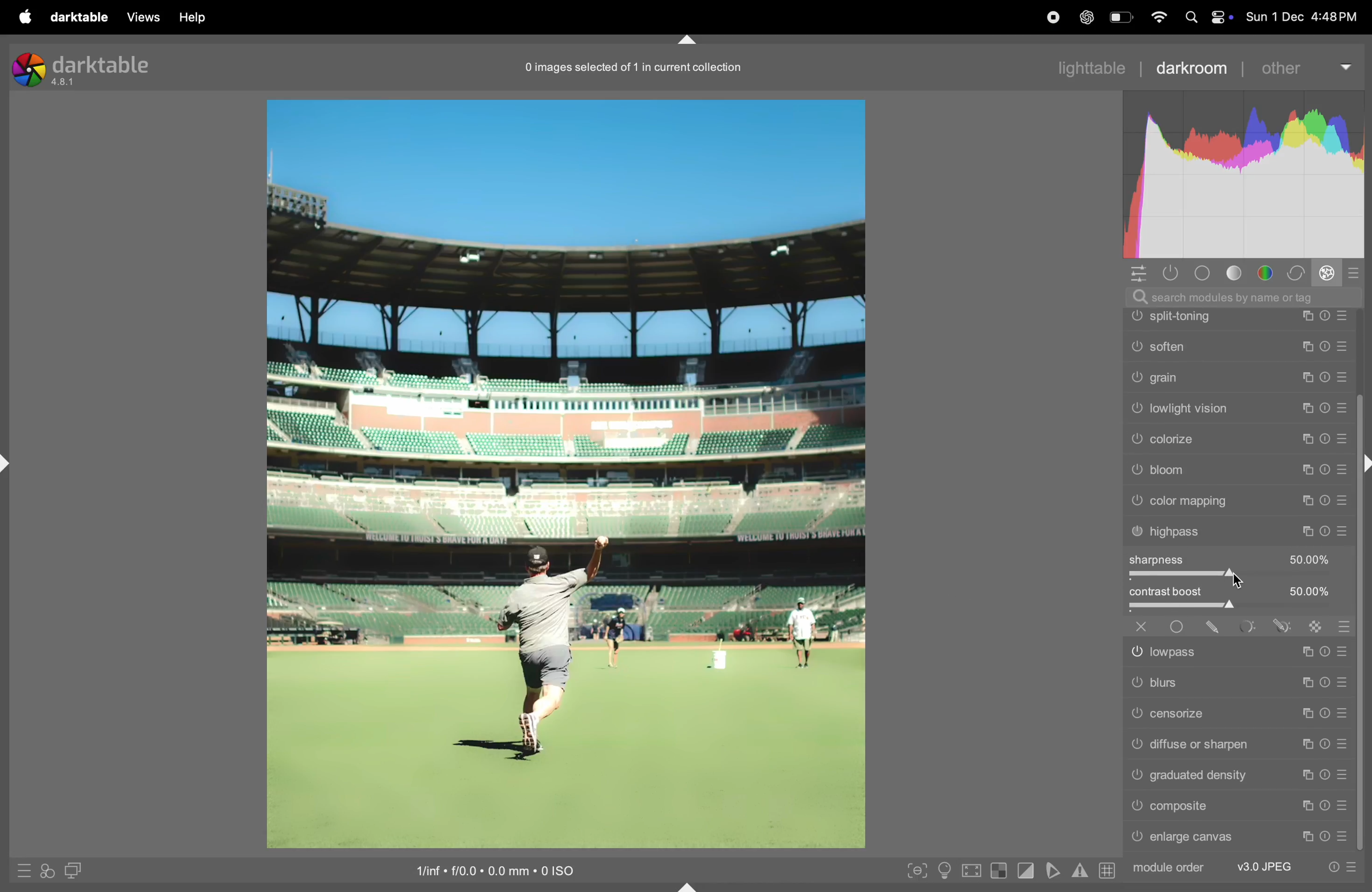 This screenshot has height=892, width=1372. I want to click on base, so click(1206, 273).